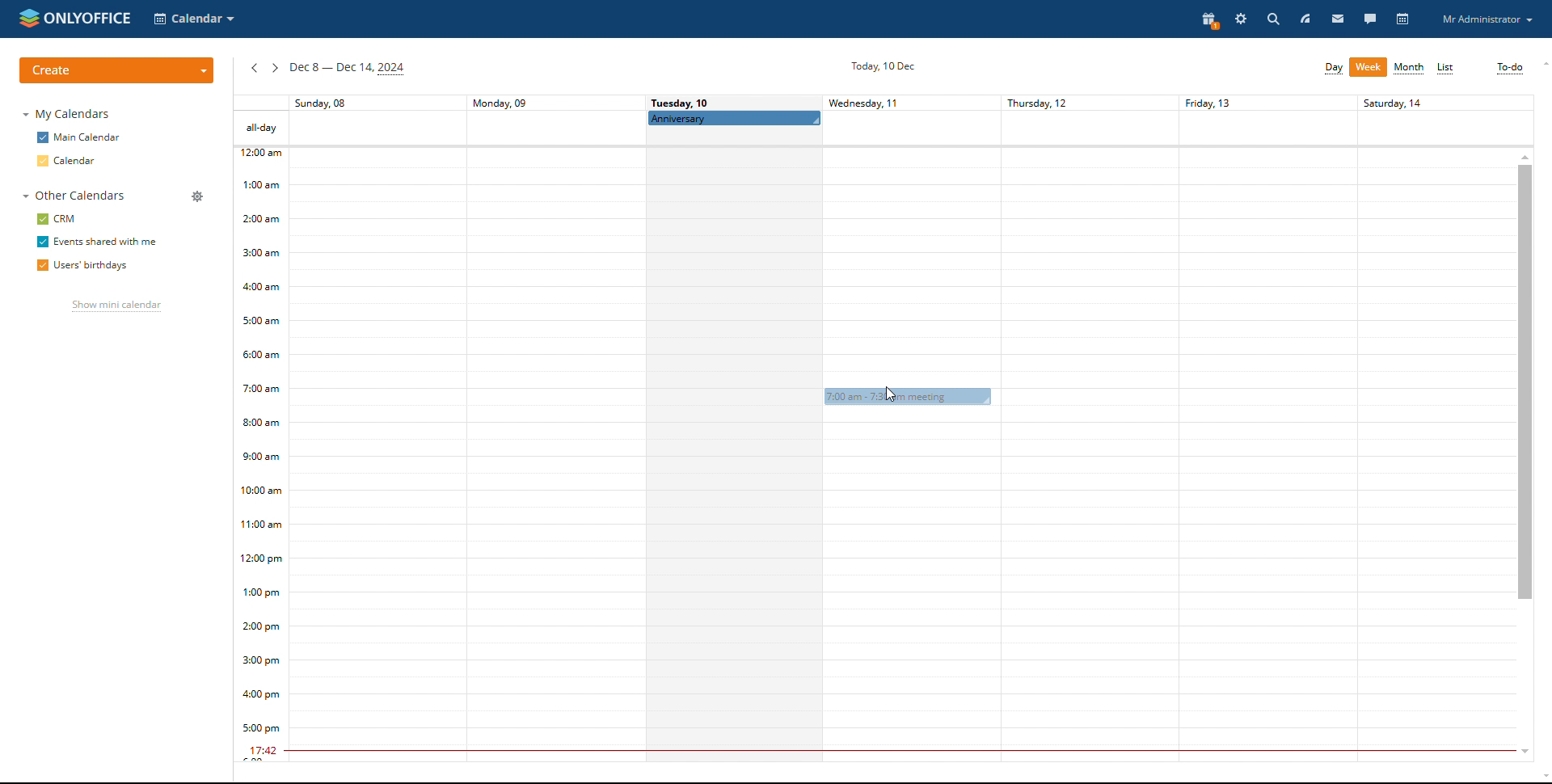 The image size is (1552, 784). I want to click on to-do, so click(1510, 68).